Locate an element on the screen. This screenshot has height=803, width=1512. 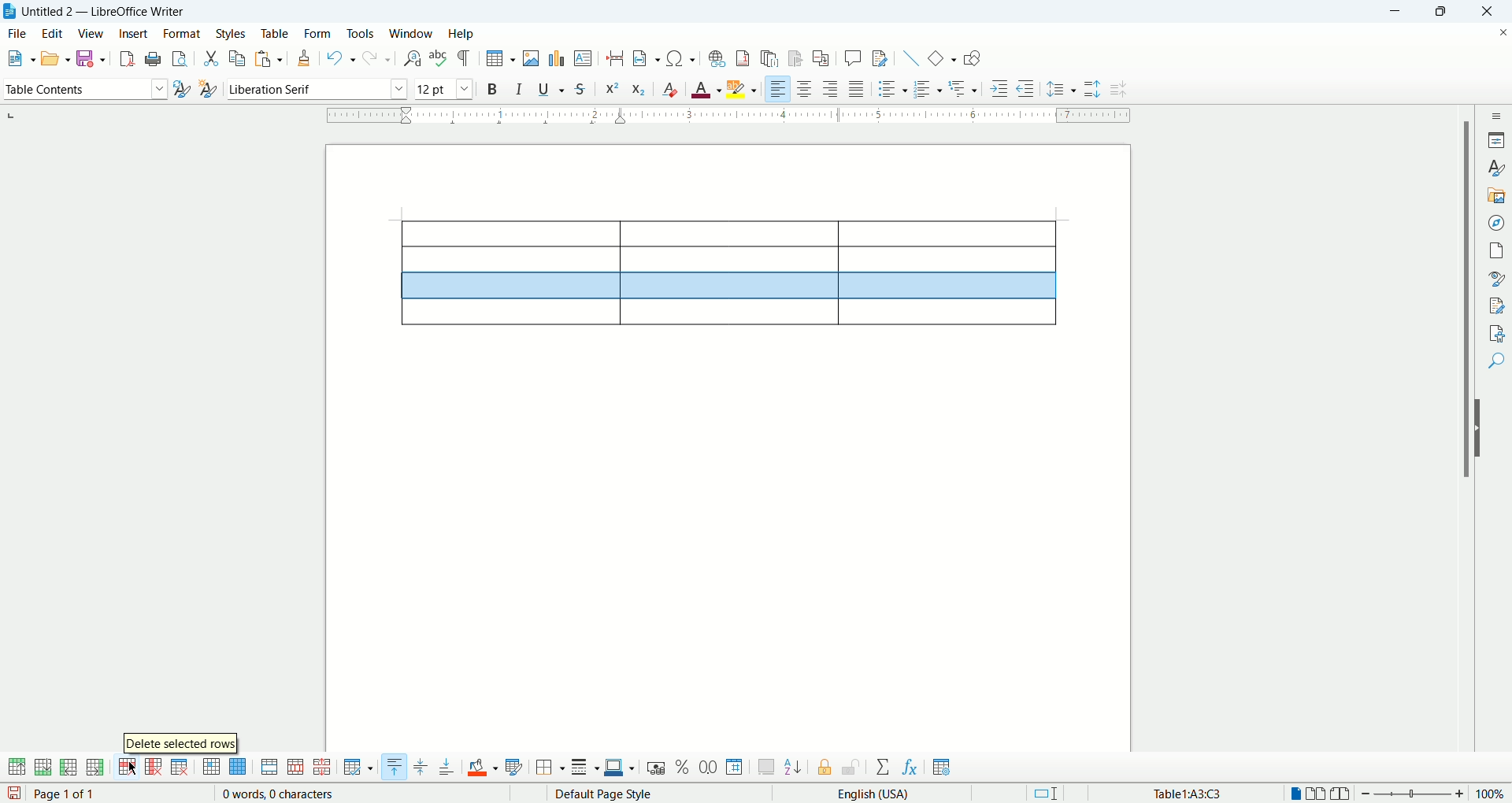
underline is located at coordinates (547, 90).